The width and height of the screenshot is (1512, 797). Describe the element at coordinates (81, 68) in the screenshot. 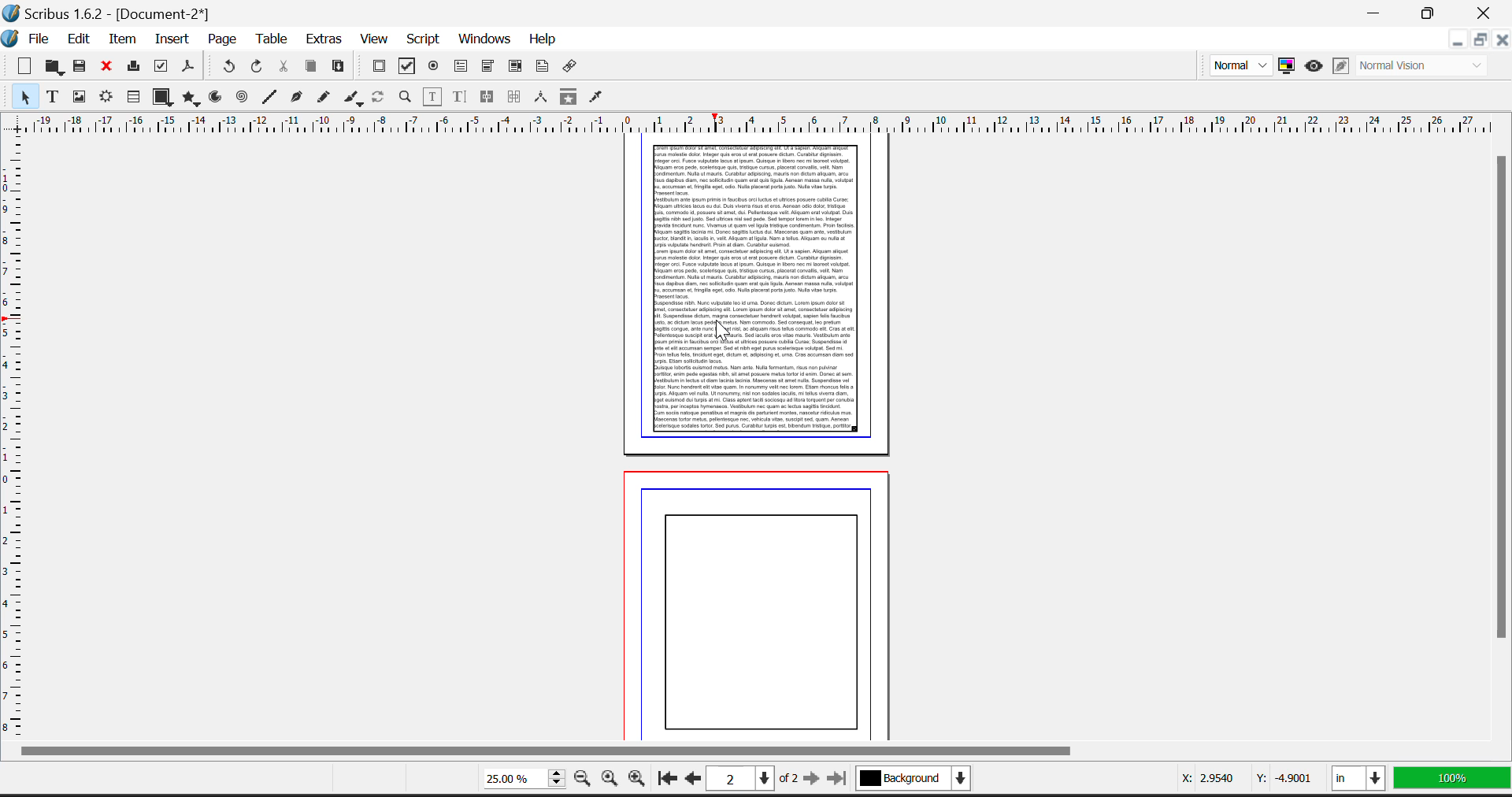

I see `Save` at that location.